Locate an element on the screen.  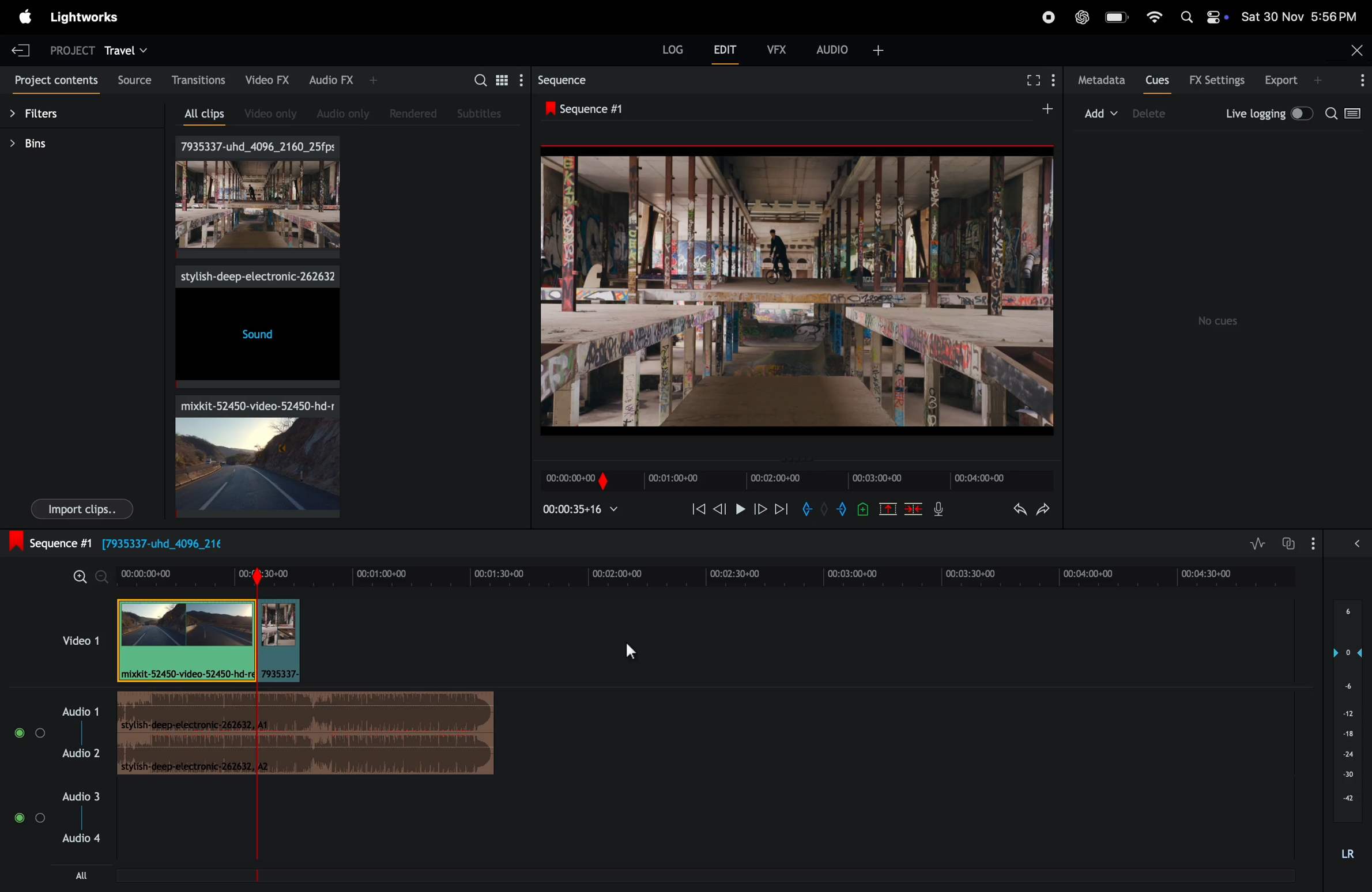
new clip is located at coordinates (794, 292).